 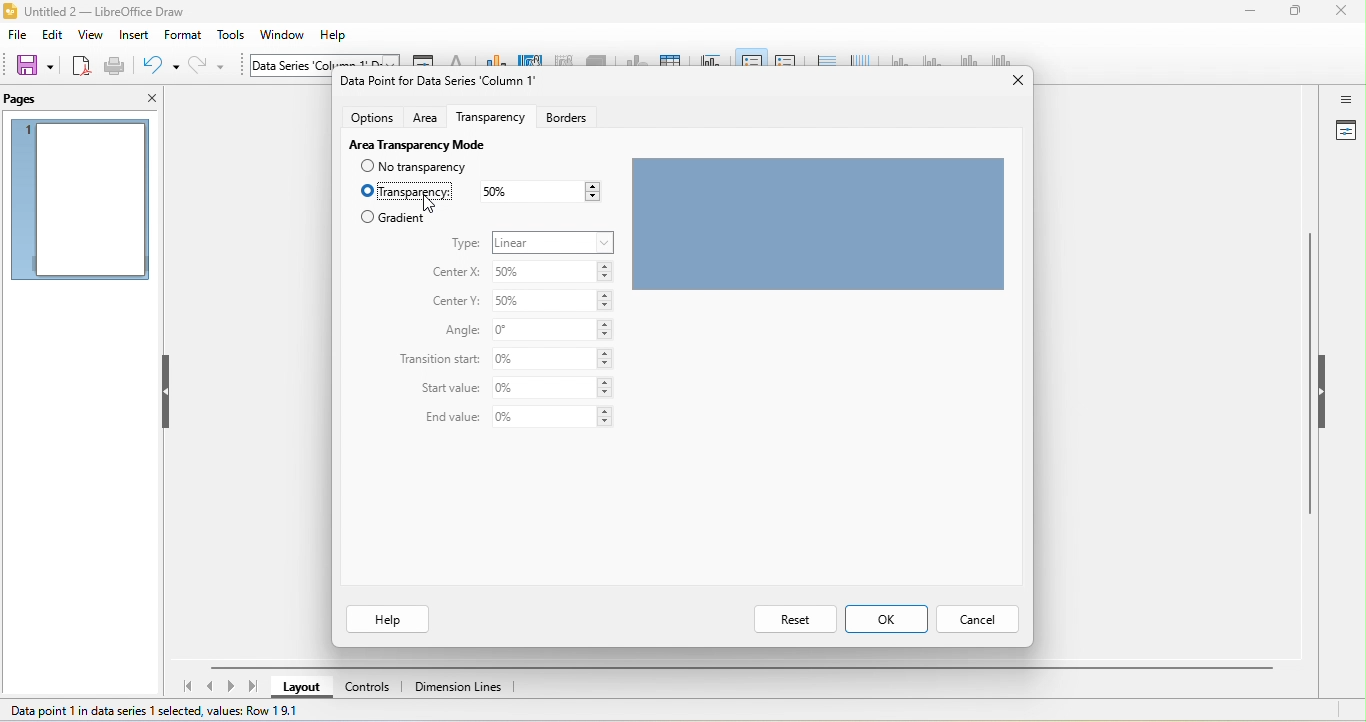 What do you see at coordinates (148, 99) in the screenshot?
I see `close` at bounding box center [148, 99].